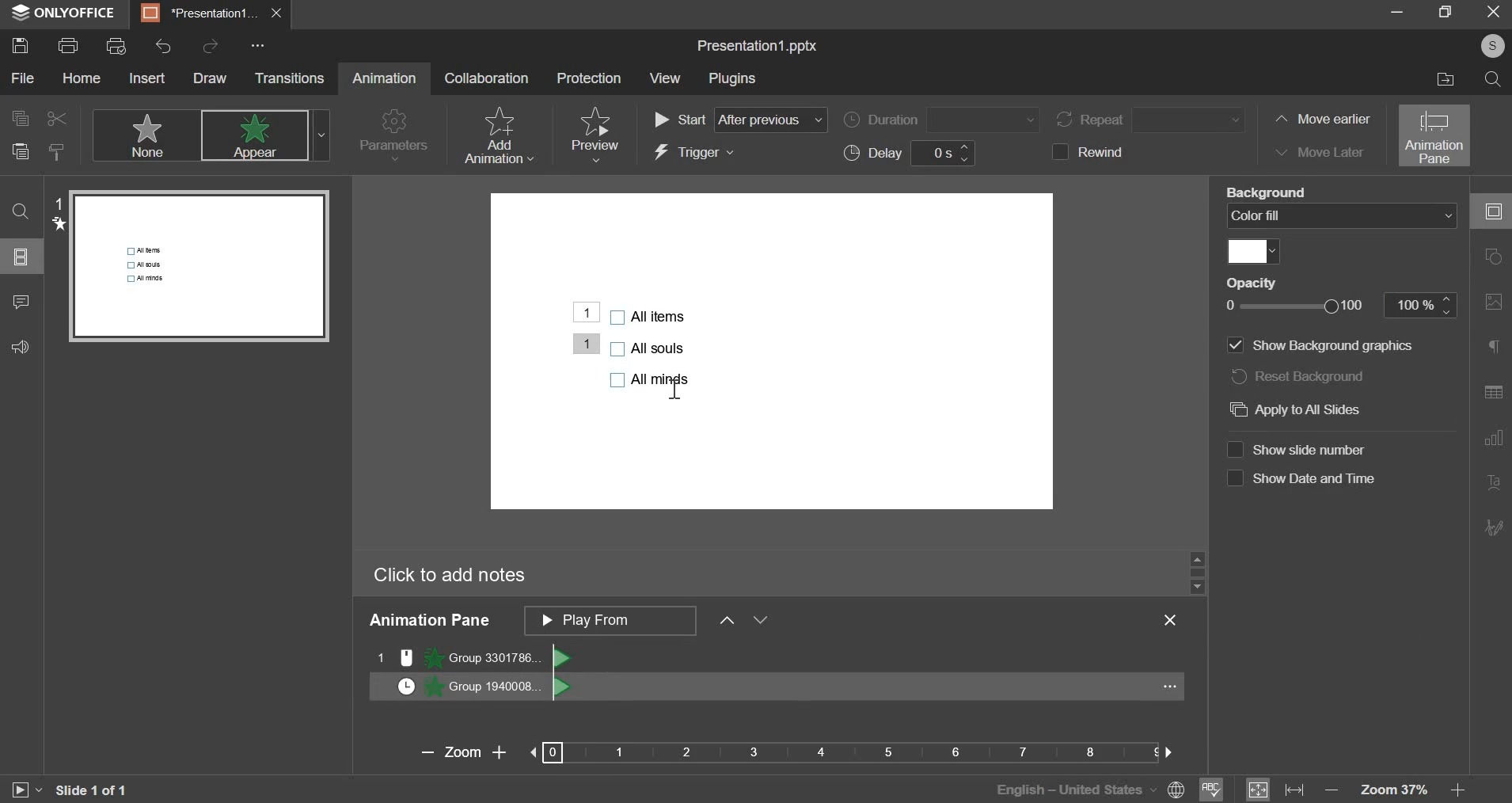 This screenshot has width=1512, height=803. Describe the element at coordinates (20, 153) in the screenshot. I see `paste` at that location.